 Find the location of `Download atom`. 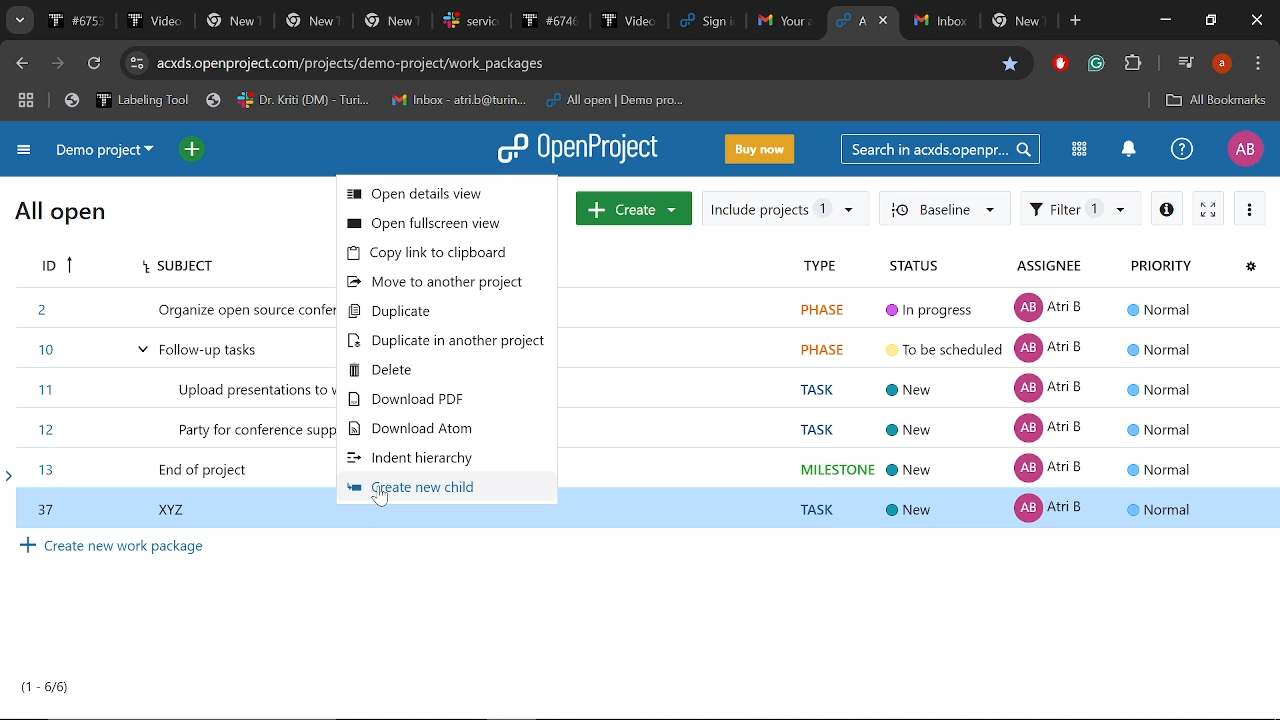

Download atom is located at coordinates (435, 428).